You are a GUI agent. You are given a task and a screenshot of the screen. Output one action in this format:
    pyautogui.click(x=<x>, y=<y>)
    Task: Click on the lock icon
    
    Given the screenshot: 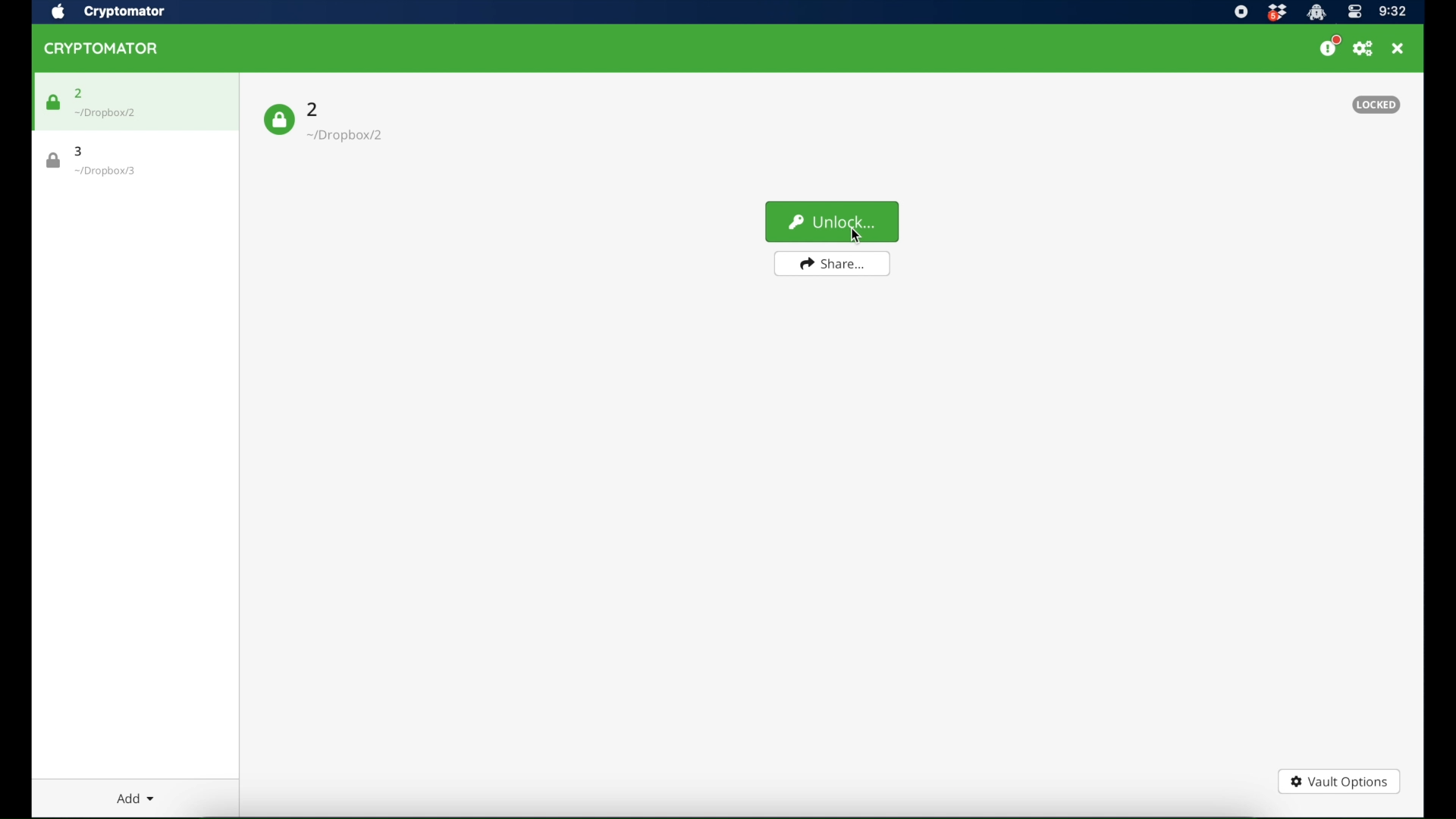 What is the action you would take?
    pyautogui.click(x=53, y=102)
    